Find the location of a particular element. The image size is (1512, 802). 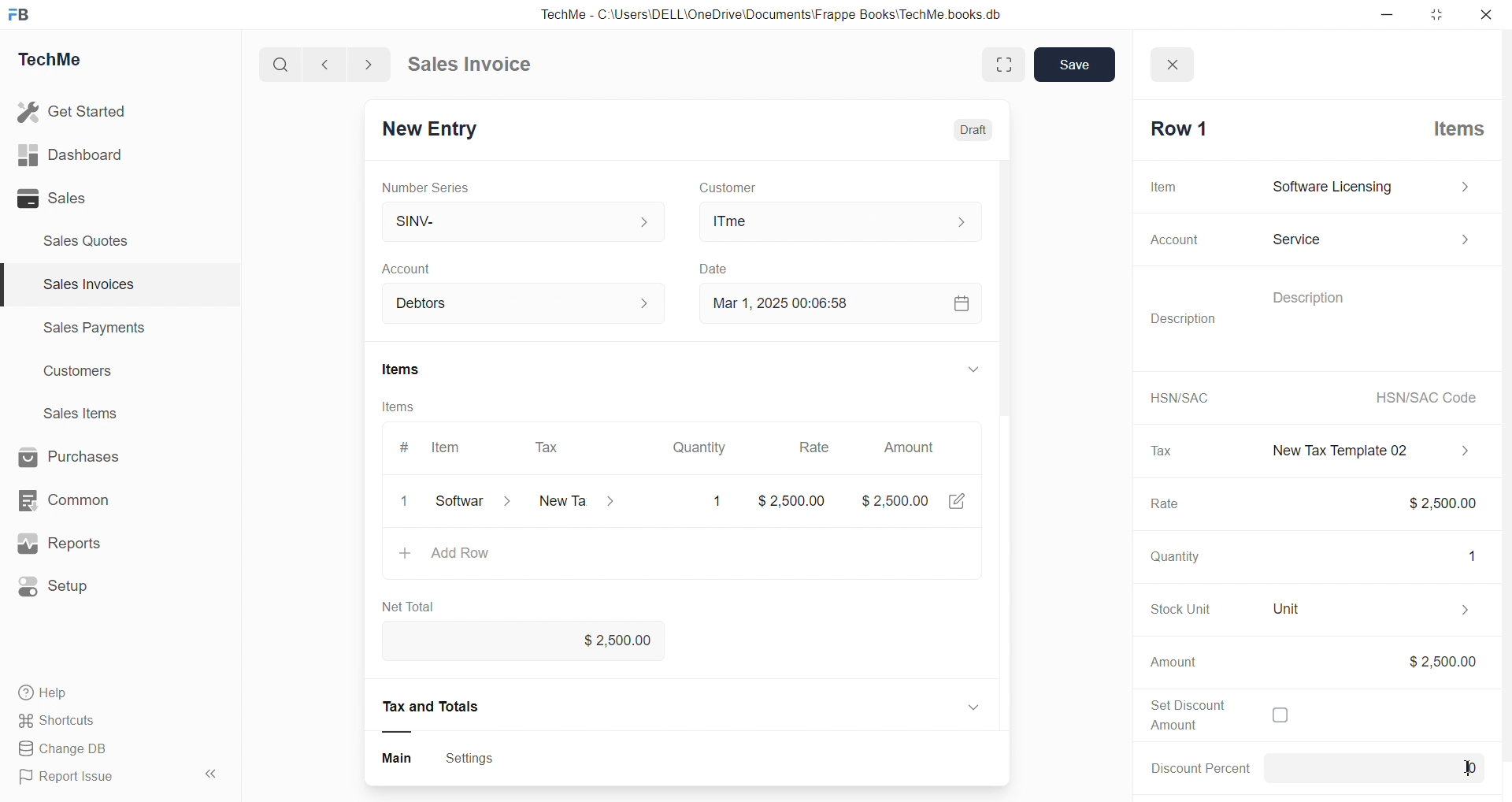

« is located at coordinates (212, 771).